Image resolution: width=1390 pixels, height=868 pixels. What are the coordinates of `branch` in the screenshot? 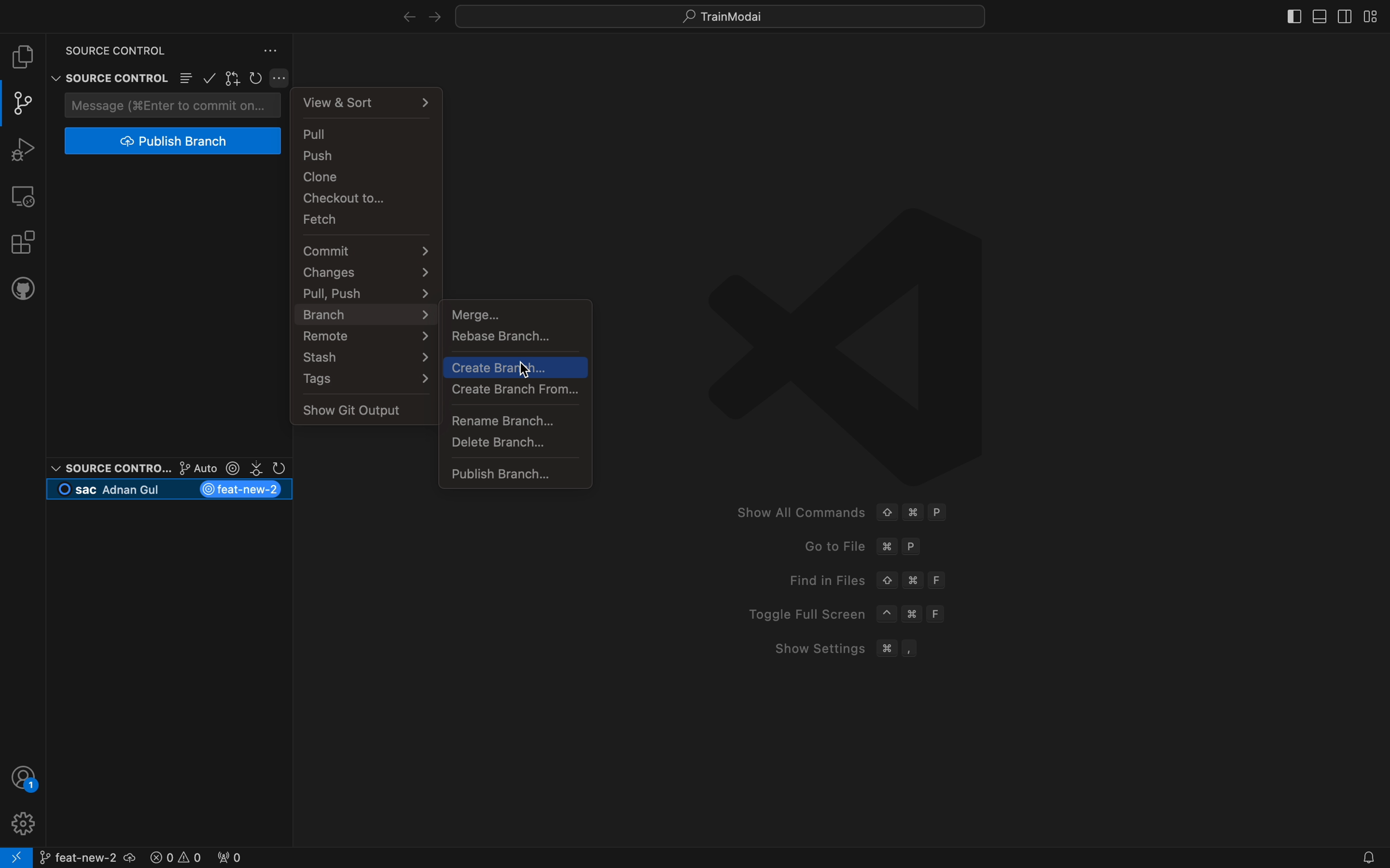 It's located at (363, 313).